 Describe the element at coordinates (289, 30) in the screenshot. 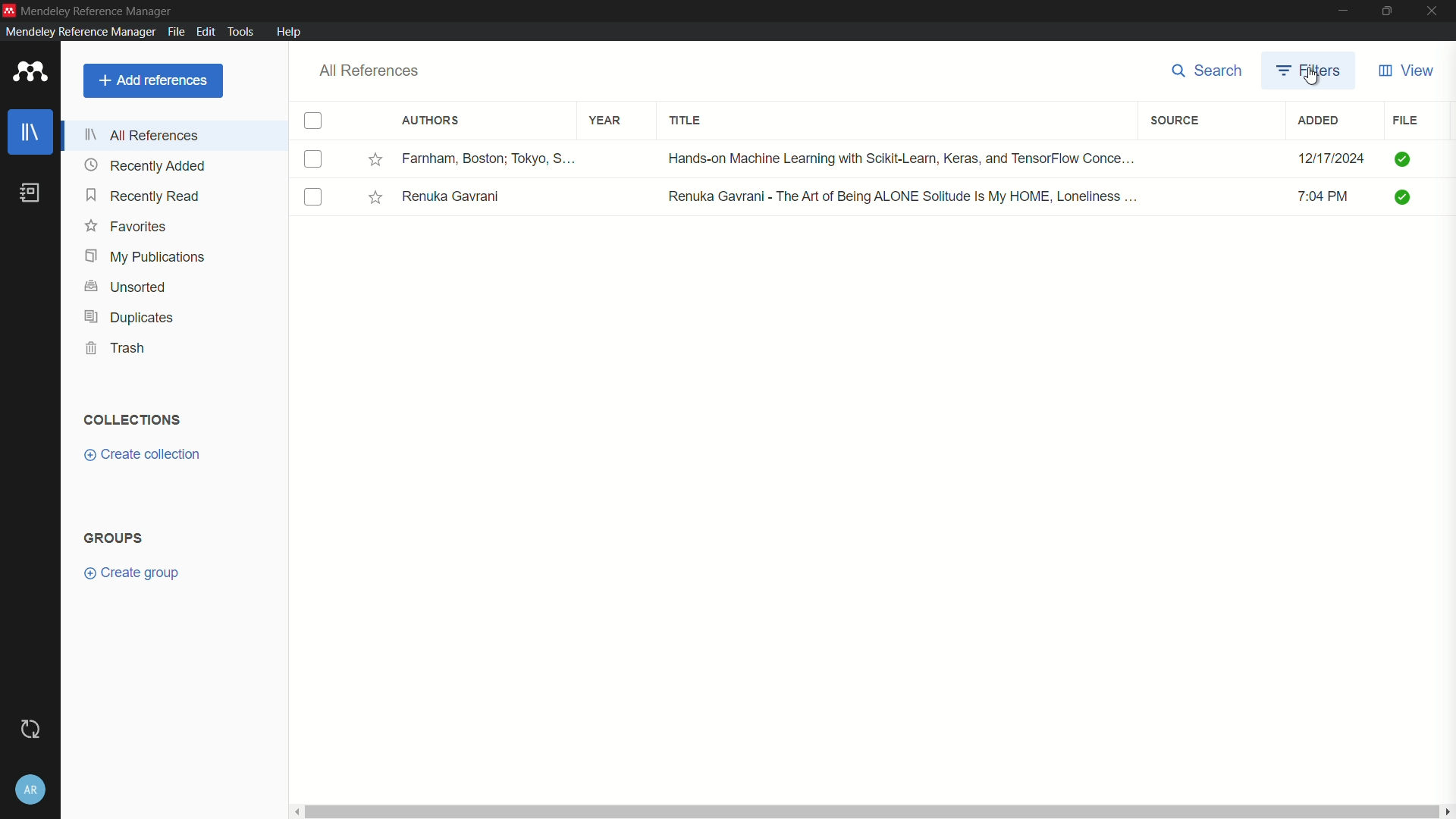

I see `help menu` at that location.